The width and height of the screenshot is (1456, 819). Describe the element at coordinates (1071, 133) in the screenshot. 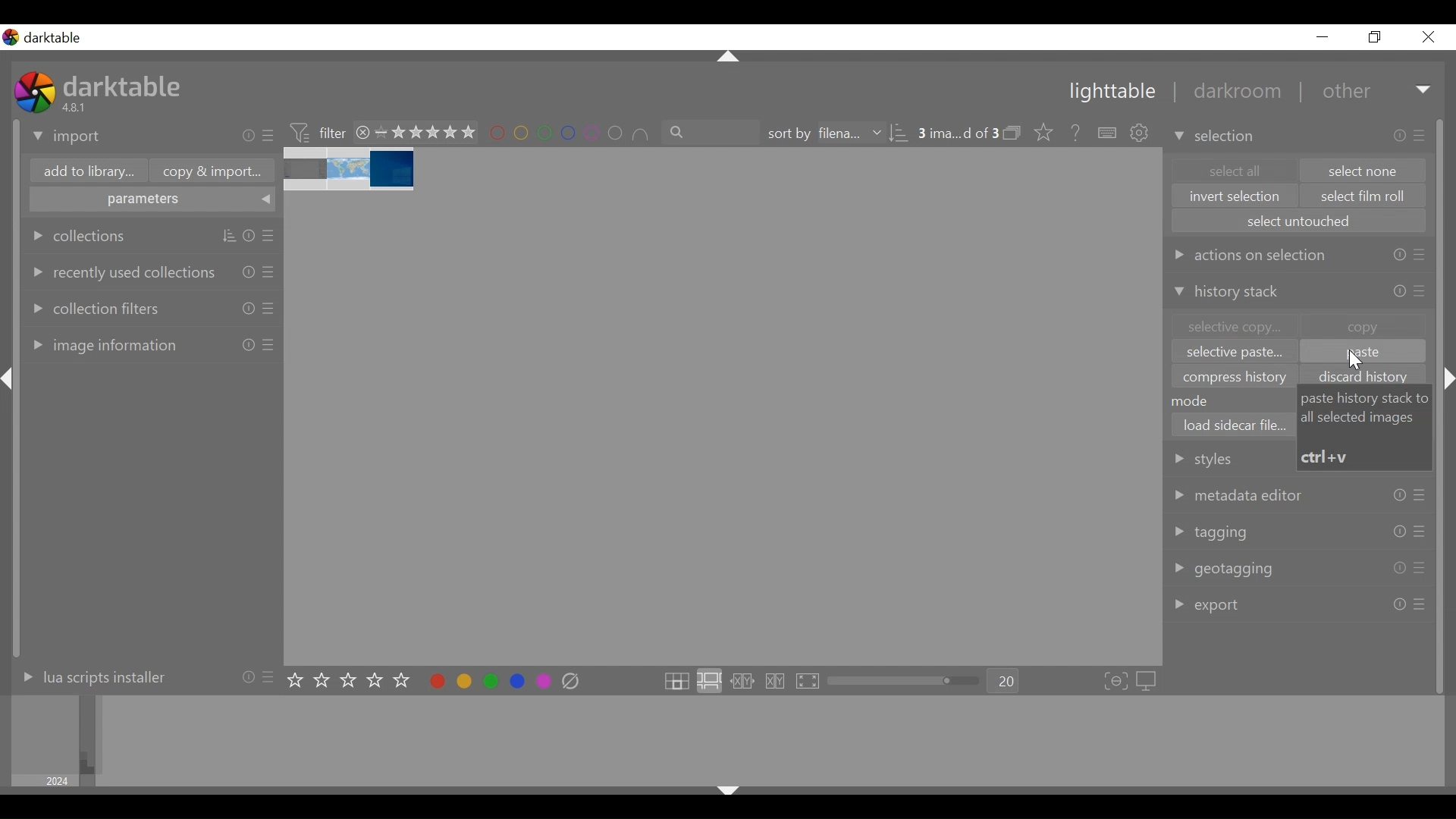

I see `help` at that location.